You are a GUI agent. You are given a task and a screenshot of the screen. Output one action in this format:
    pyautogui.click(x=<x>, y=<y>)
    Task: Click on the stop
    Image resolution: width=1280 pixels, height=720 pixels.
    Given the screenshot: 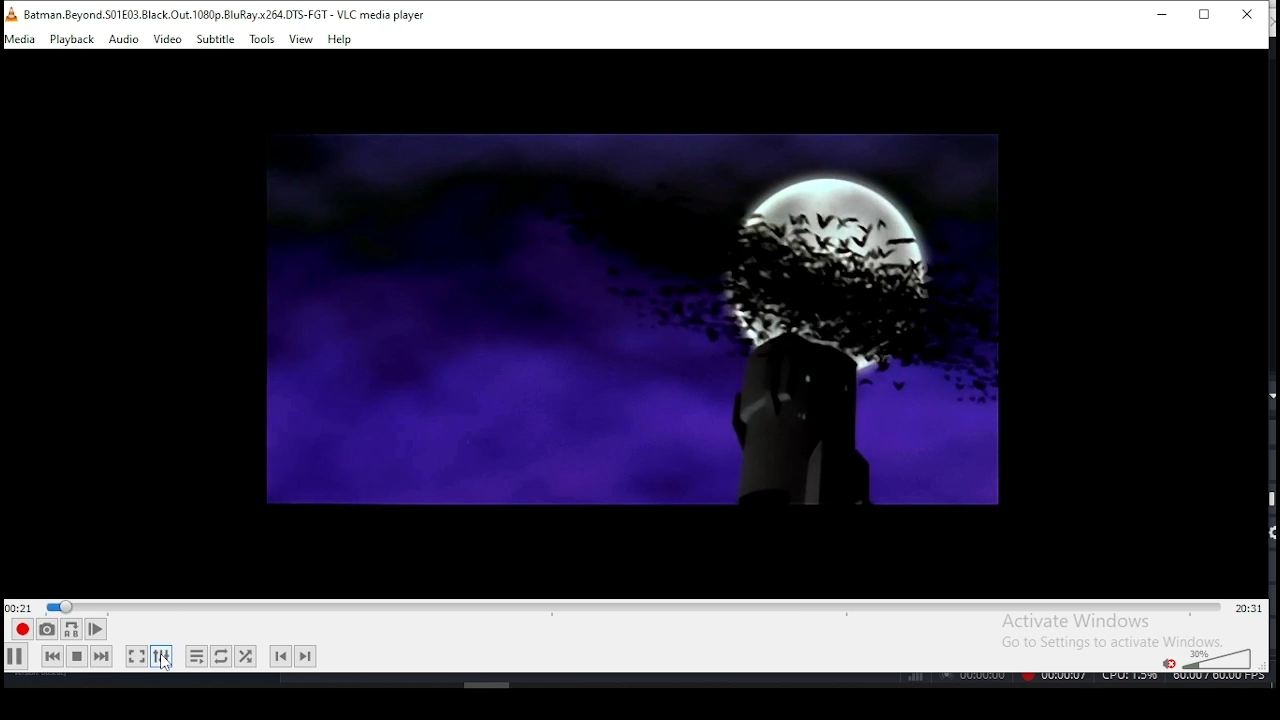 What is the action you would take?
    pyautogui.click(x=76, y=656)
    